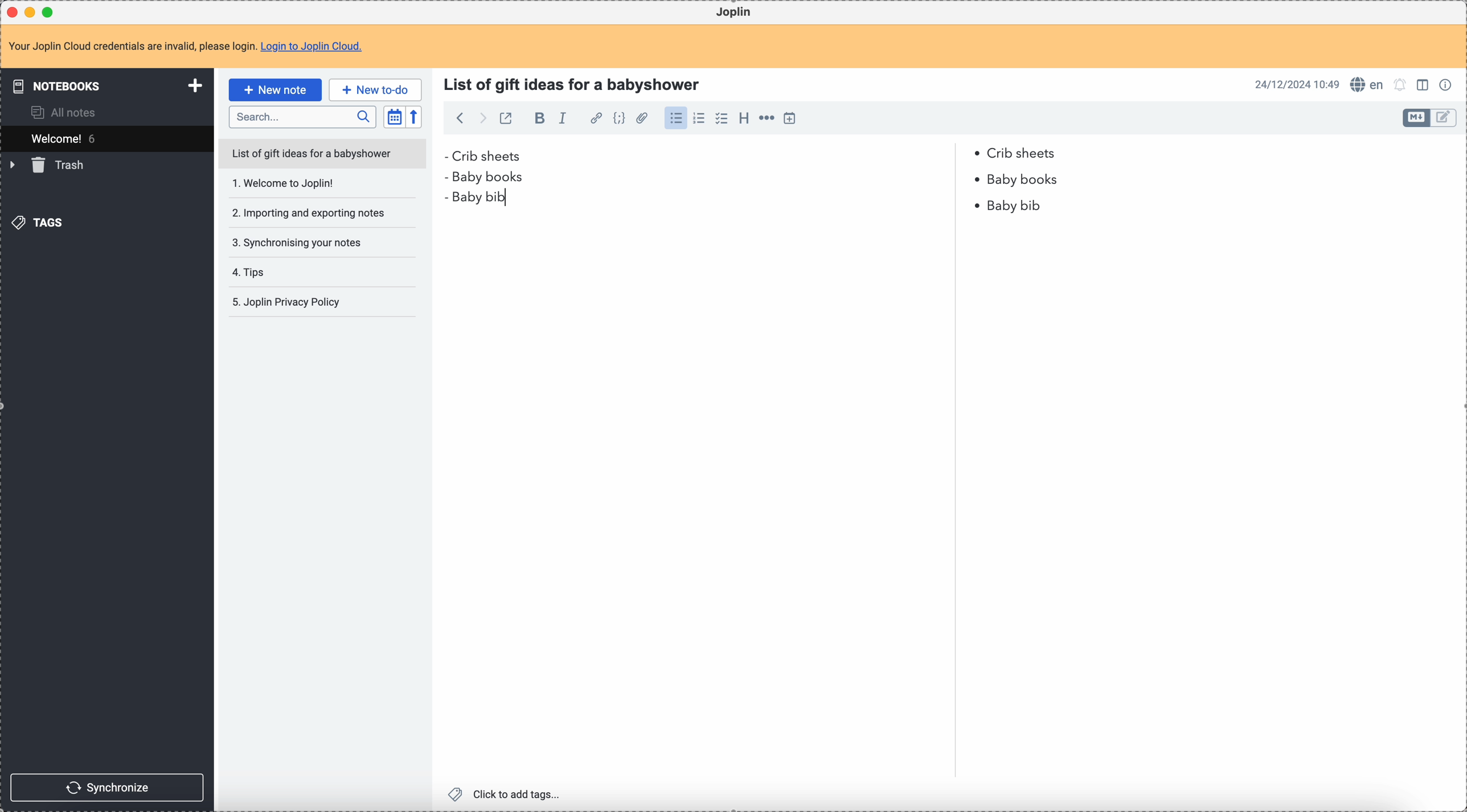  I want to click on maximize Joplin, so click(51, 11).